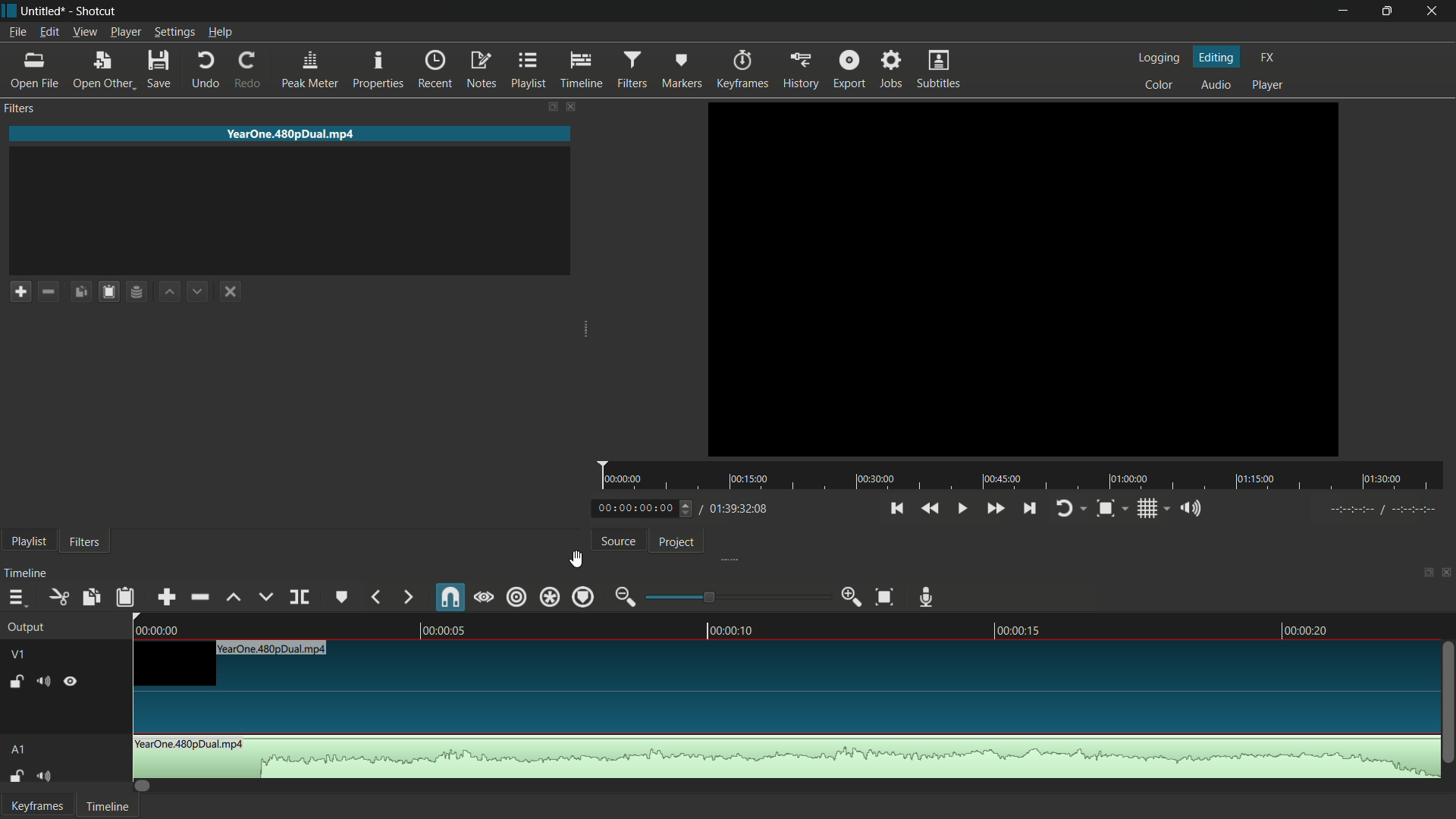  Describe the element at coordinates (582, 70) in the screenshot. I see `timeline` at that location.